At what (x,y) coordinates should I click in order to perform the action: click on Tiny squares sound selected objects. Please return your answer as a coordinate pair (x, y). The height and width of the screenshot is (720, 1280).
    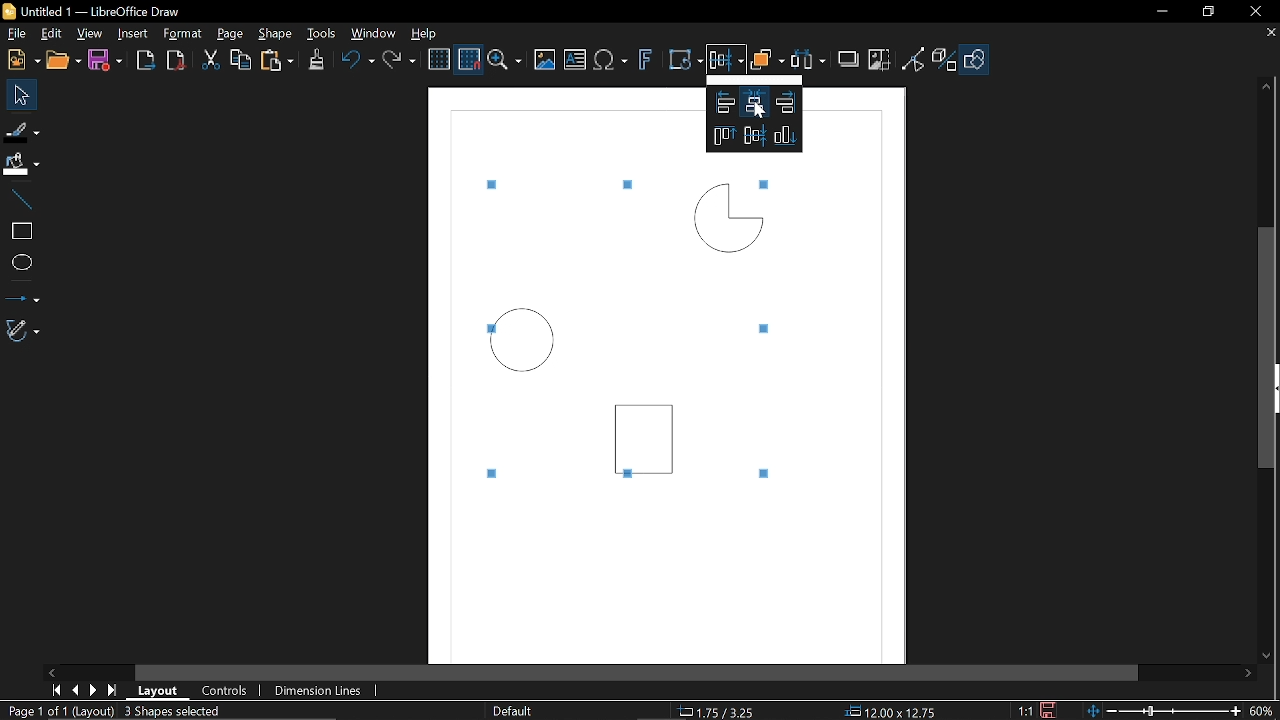
    Looking at the image, I should click on (768, 329).